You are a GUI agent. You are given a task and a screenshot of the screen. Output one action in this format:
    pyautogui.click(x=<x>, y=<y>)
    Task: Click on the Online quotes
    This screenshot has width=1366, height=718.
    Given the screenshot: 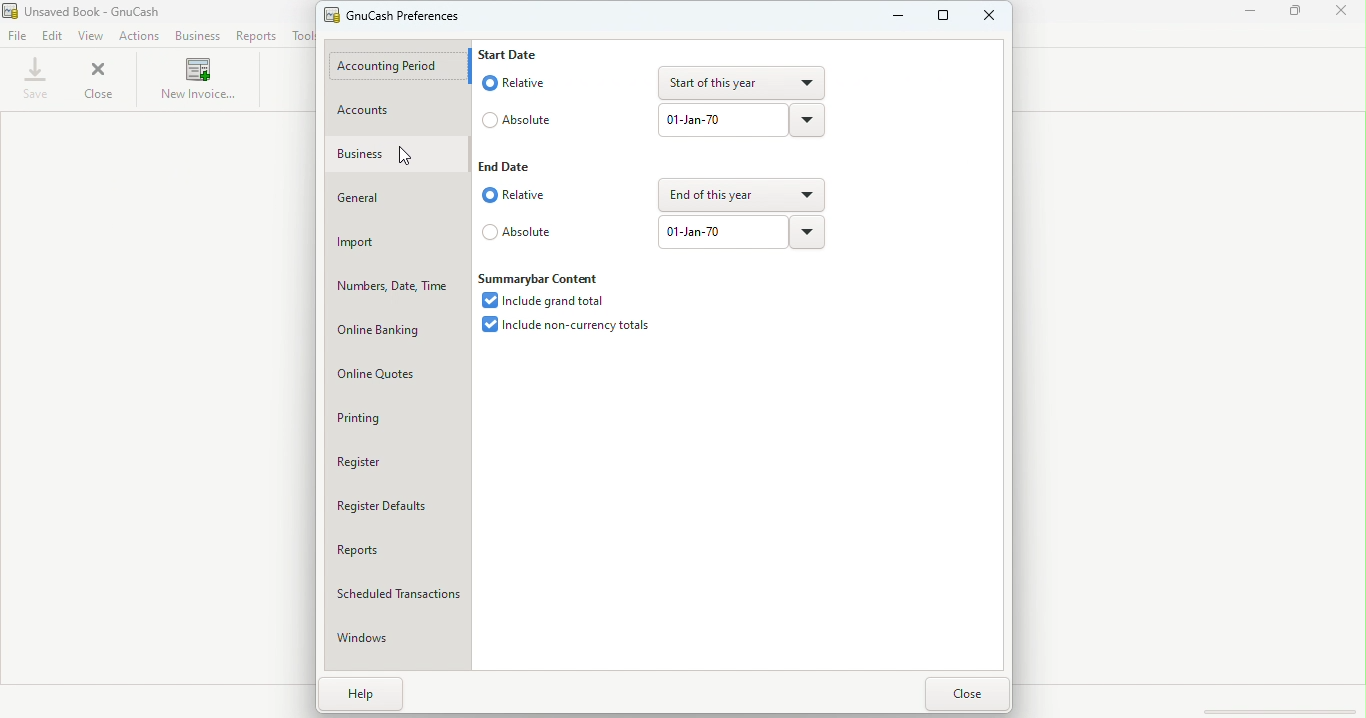 What is the action you would take?
    pyautogui.click(x=398, y=373)
    